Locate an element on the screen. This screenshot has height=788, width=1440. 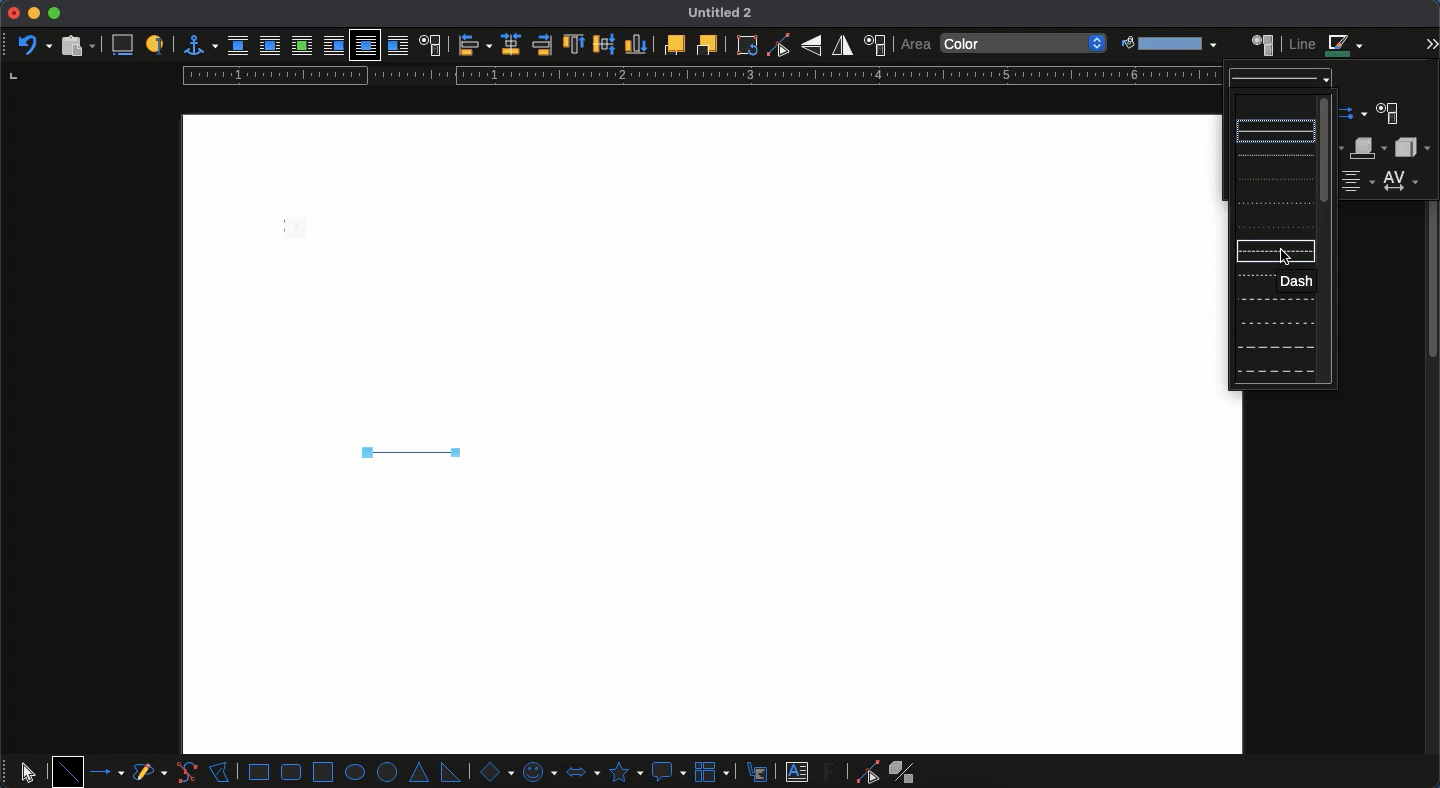
color is located at coordinates (1025, 44).